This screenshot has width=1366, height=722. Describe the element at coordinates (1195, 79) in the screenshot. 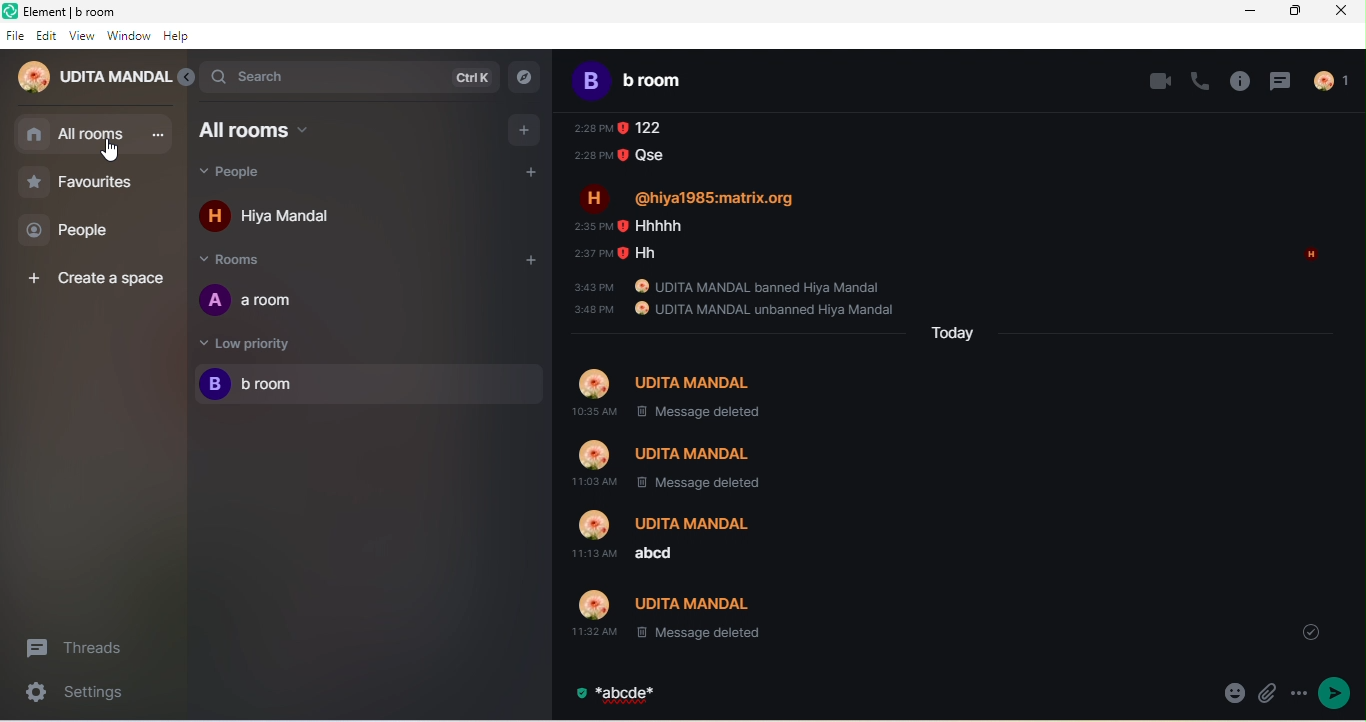

I see `voice call` at that location.